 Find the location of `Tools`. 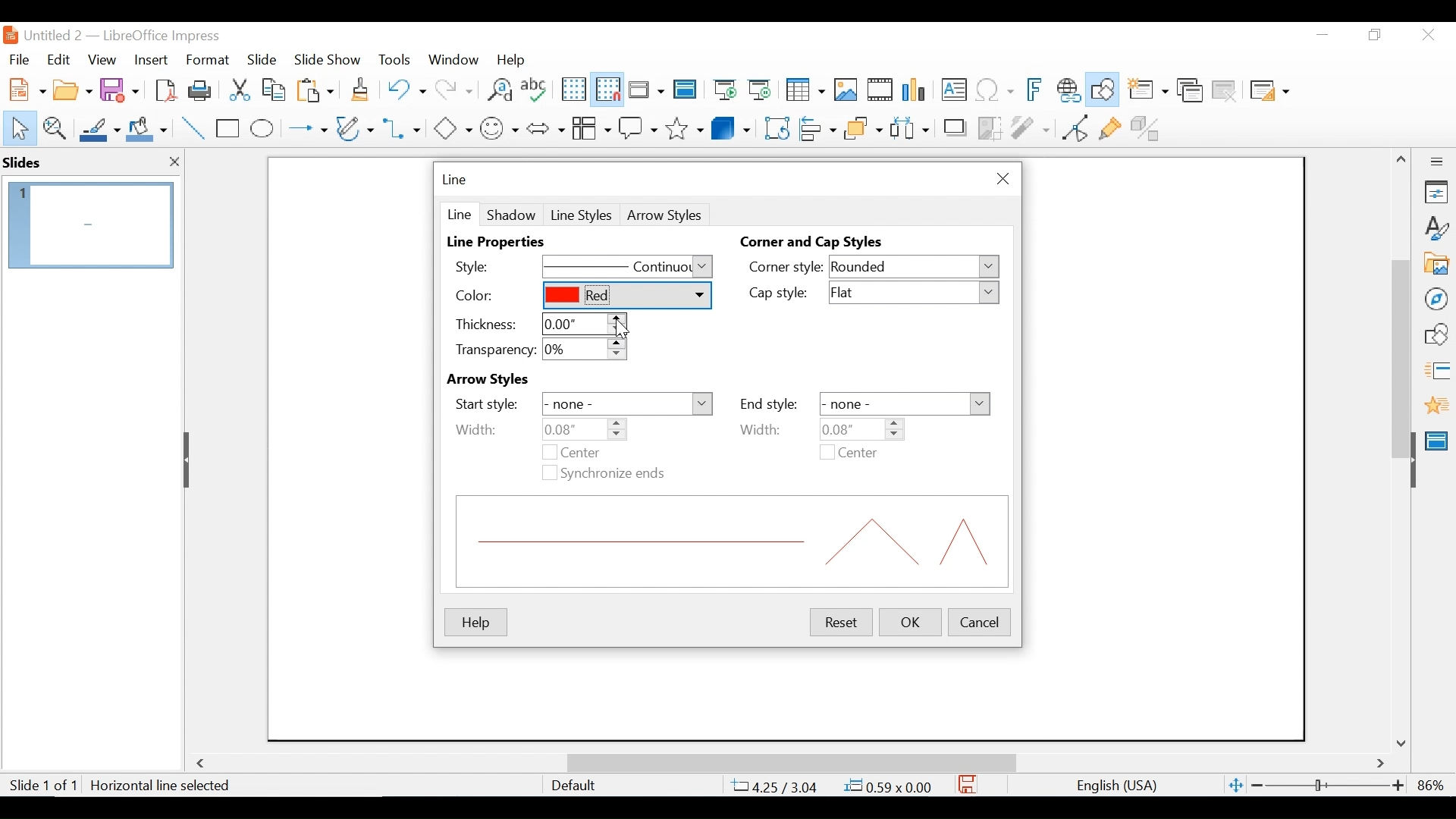

Tools is located at coordinates (394, 59).